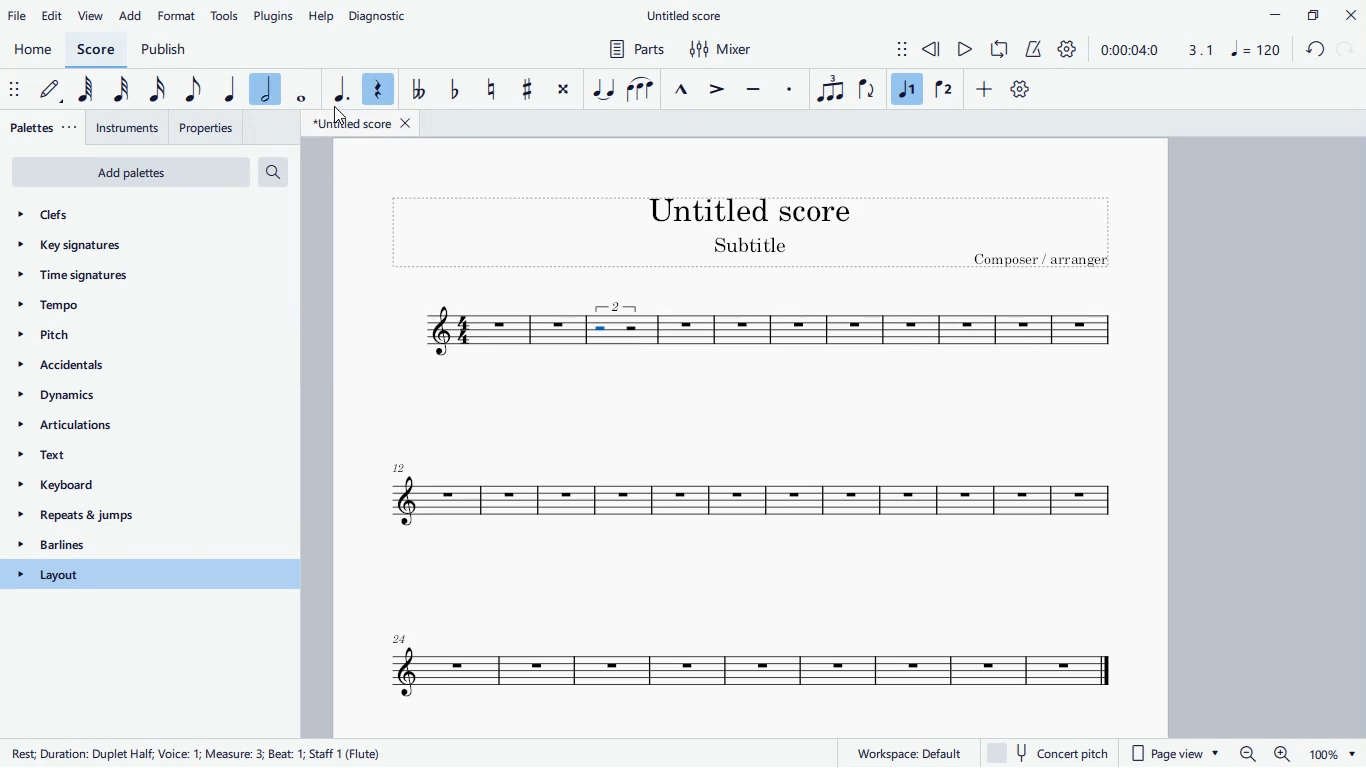 Image resolution: width=1366 pixels, height=768 pixels. I want to click on settings, so click(1071, 50).